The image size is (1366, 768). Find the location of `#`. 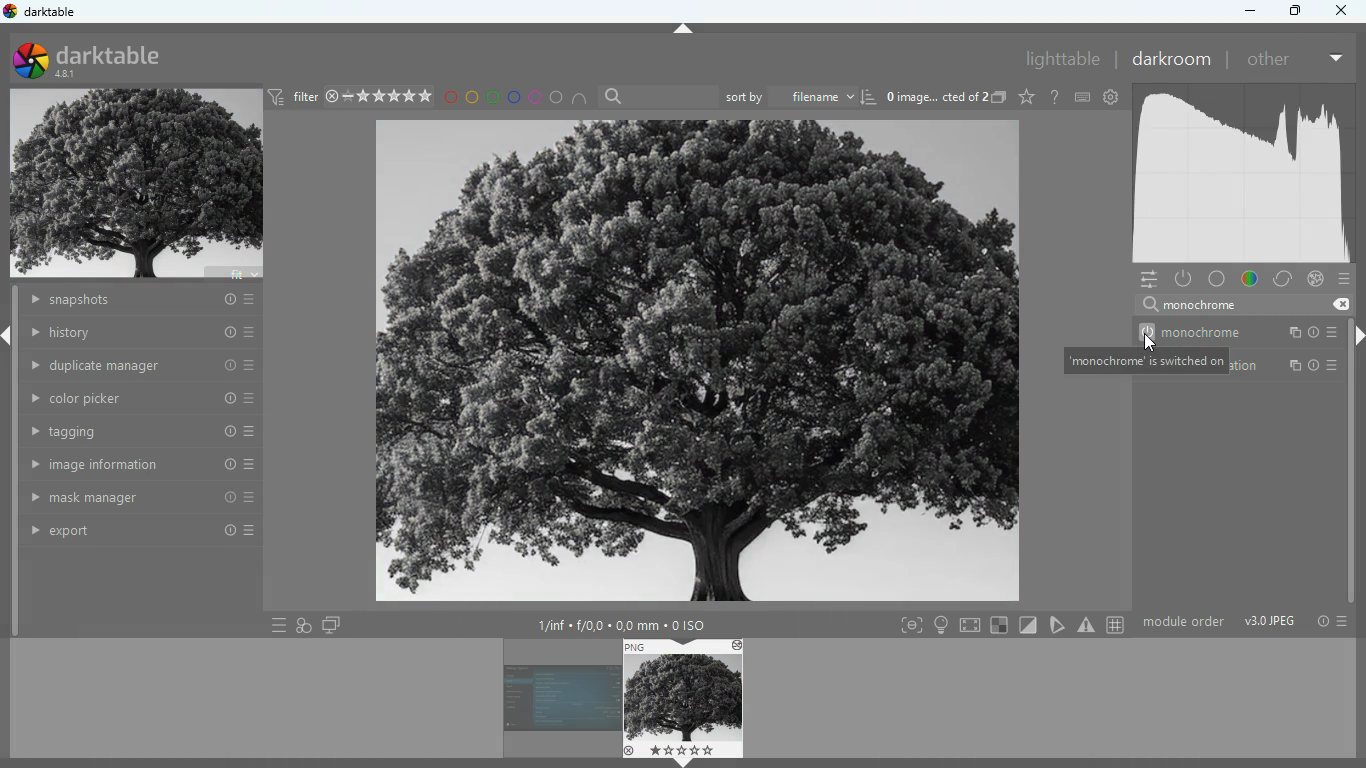

# is located at coordinates (1113, 625).